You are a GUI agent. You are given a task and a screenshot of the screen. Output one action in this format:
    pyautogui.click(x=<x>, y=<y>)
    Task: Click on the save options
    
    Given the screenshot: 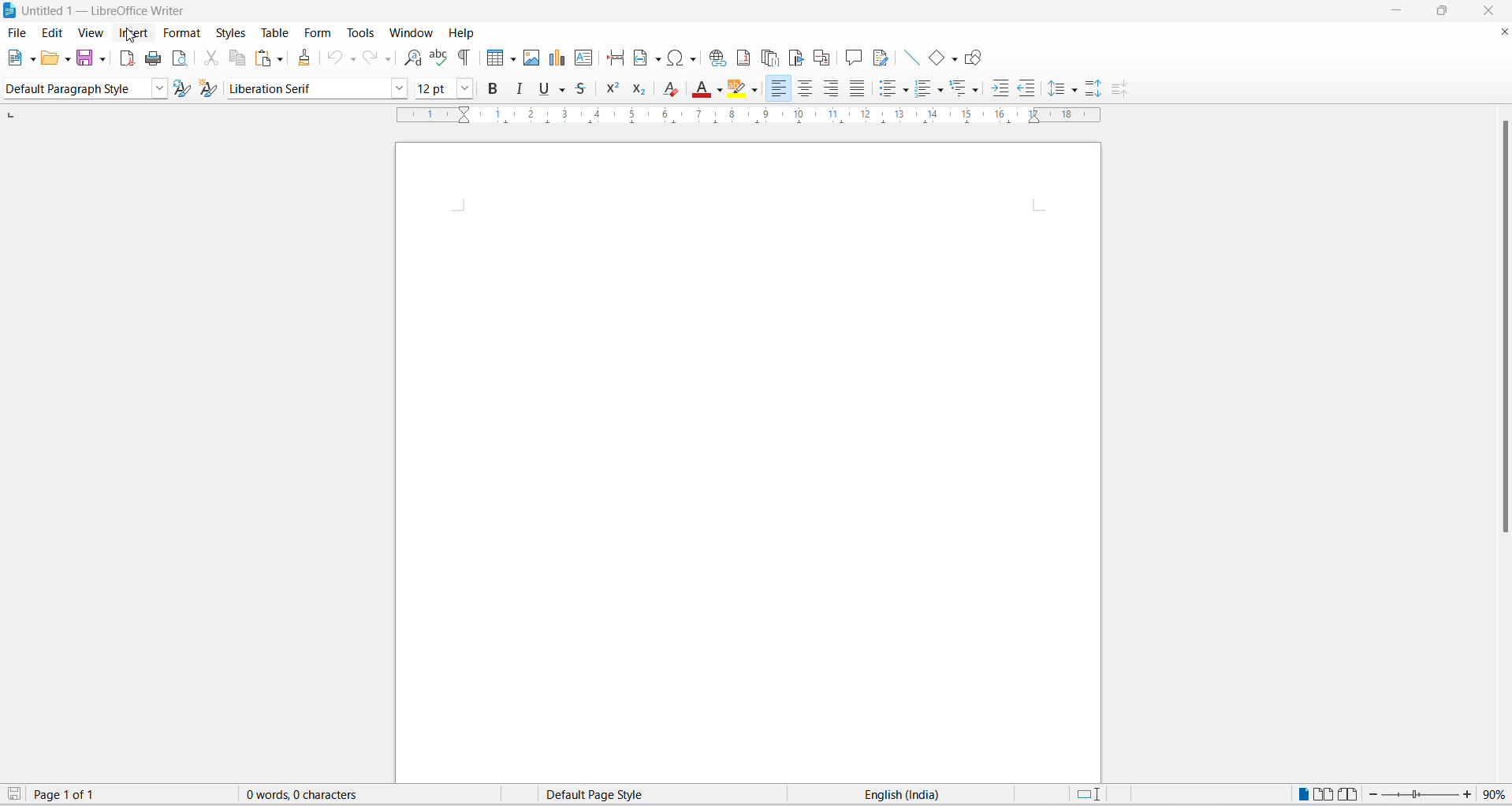 What is the action you would take?
    pyautogui.click(x=102, y=59)
    